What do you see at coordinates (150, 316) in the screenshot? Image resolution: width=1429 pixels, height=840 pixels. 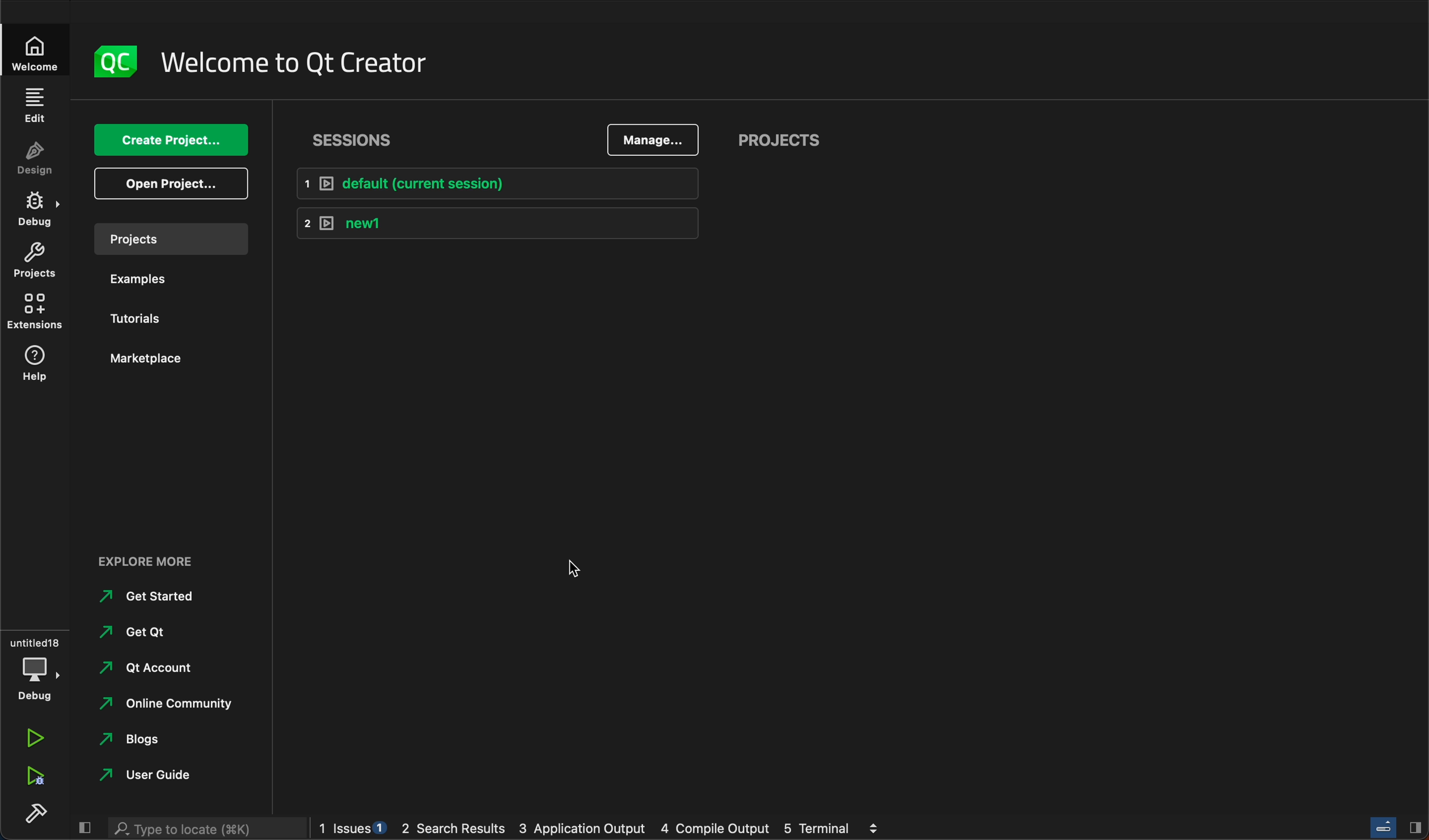 I see `tutorials` at bounding box center [150, 316].